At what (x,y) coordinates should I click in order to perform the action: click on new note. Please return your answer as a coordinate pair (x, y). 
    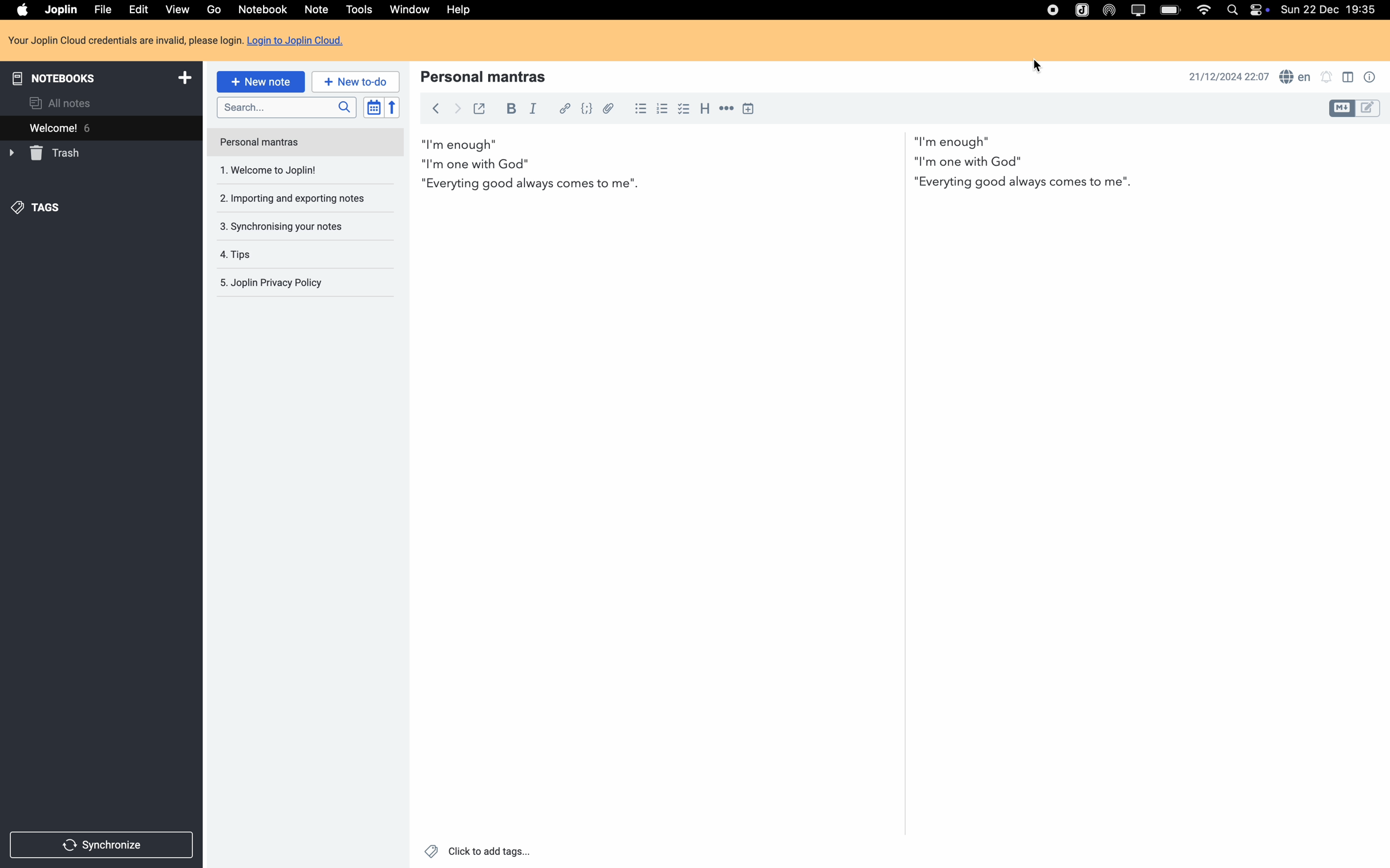
    Looking at the image, I should click on (261, 82).